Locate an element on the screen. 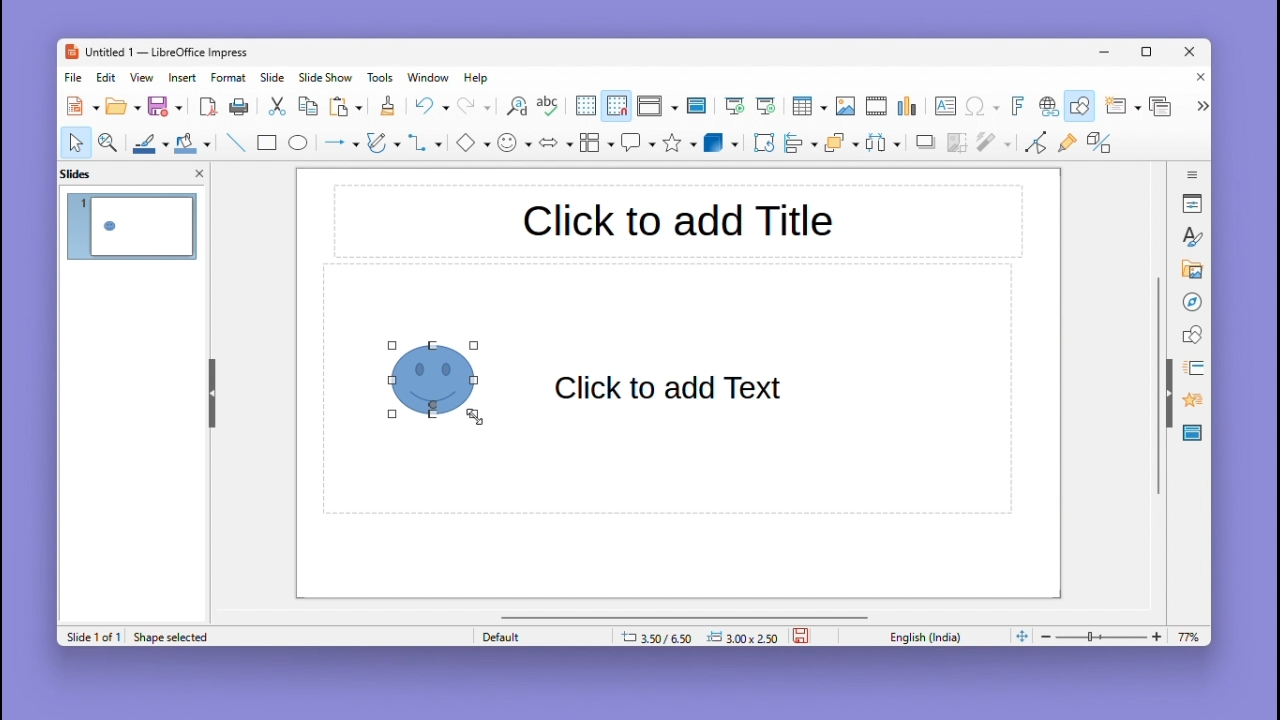 Image resolution: width=1280 pixels, height=720 pixels. Table is located at coordinates (809, 107).